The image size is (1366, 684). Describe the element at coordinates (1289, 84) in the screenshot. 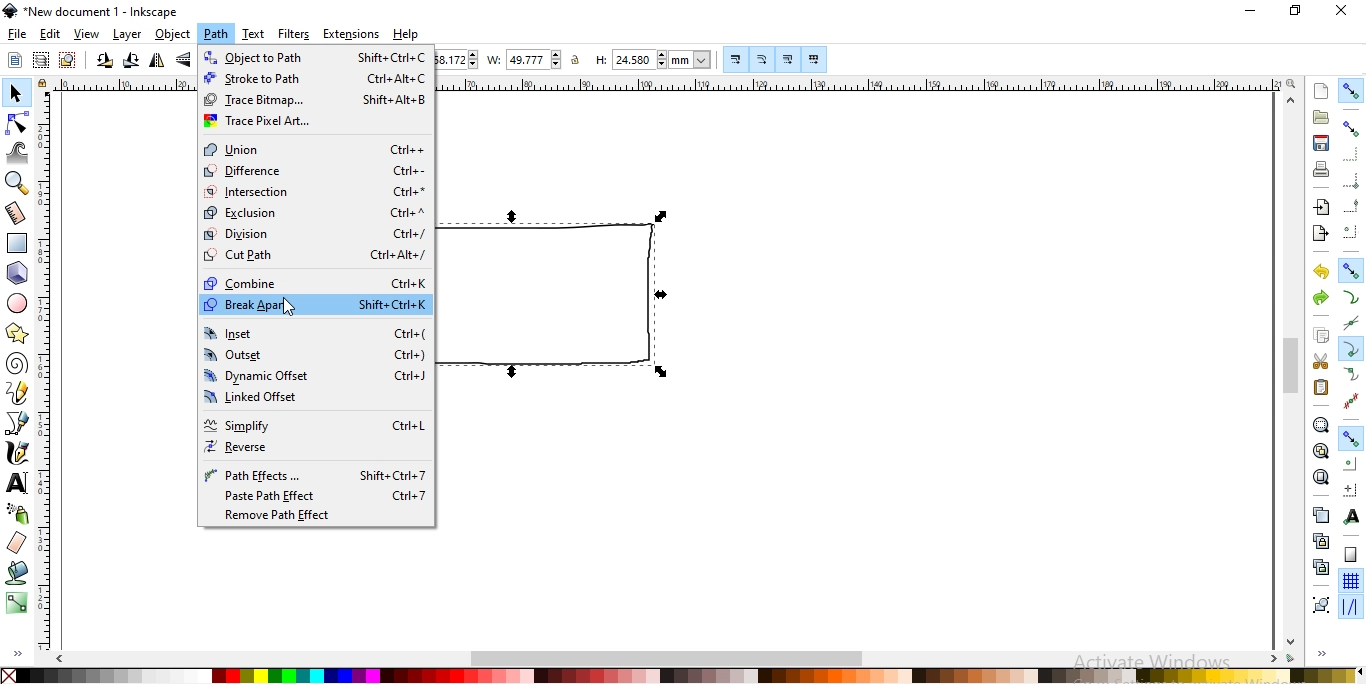

I see `zoom` at that location.